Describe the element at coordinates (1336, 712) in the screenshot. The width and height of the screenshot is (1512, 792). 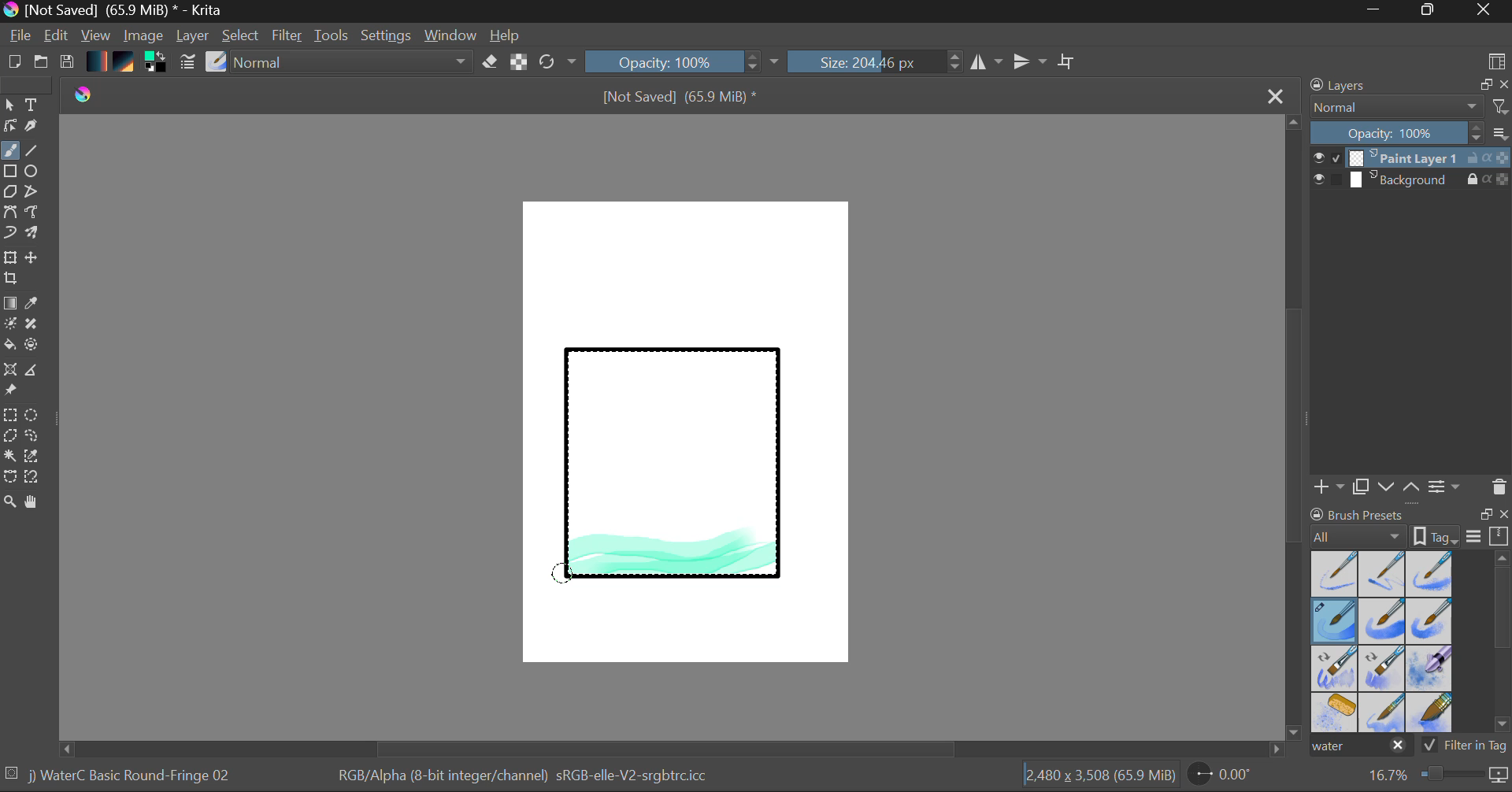
I see `Water C - Special Splats` at that location.